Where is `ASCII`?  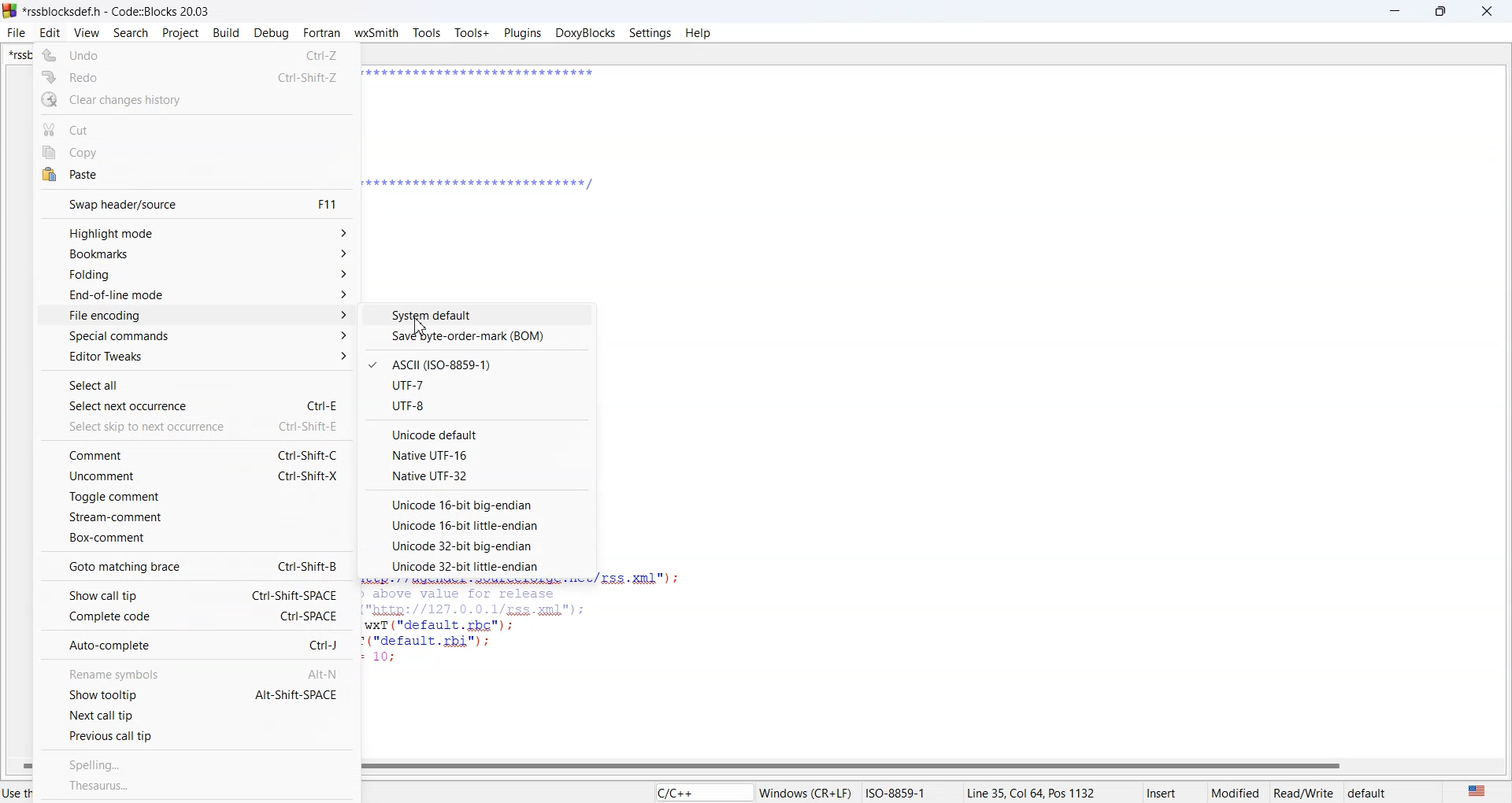
ASCII is located at coordinates (478, 364).